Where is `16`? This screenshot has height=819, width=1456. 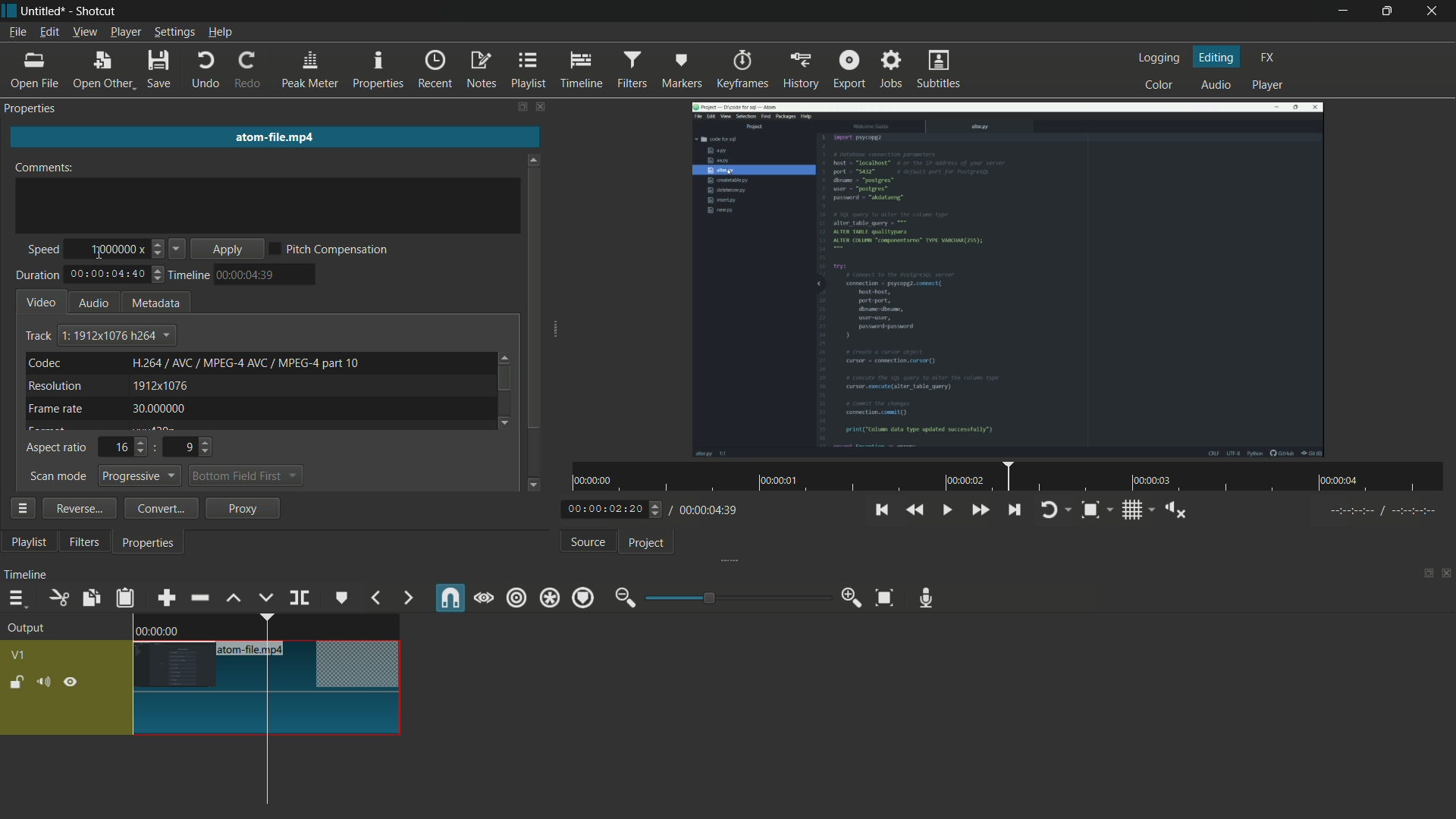 16 is located at coordinates (121, 448).